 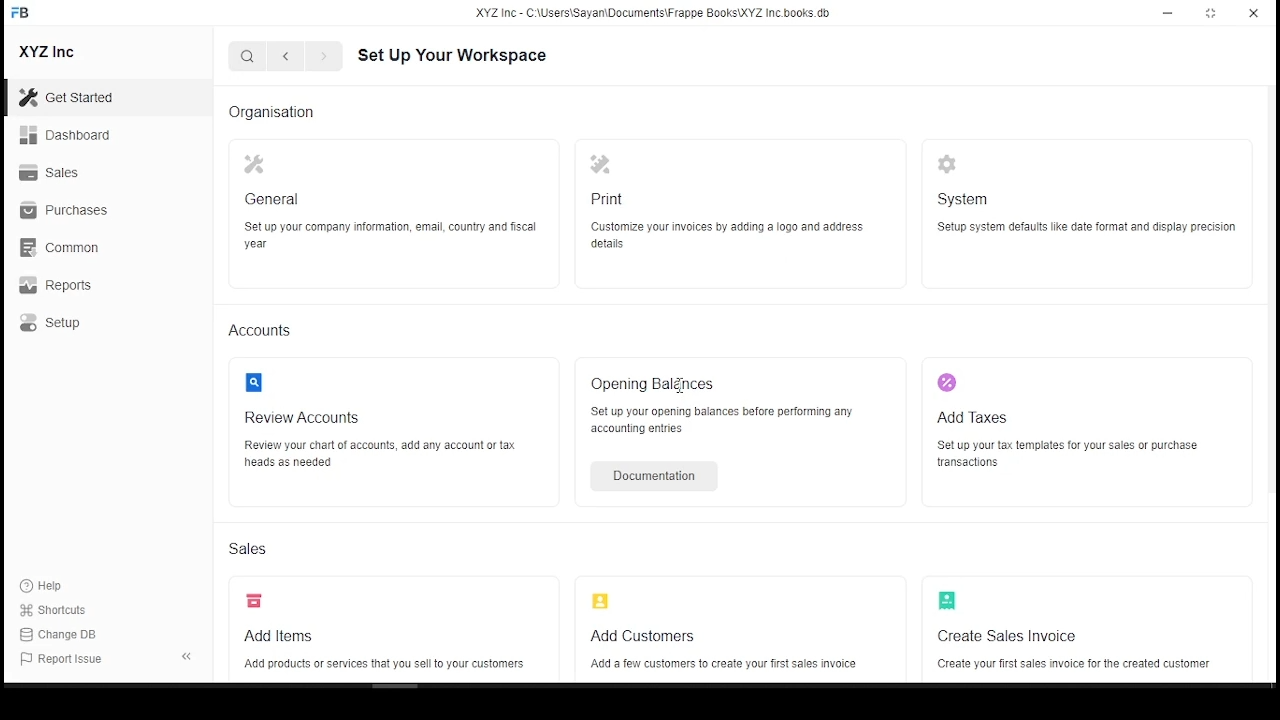 I want to click on mouse pointer, so click(x=63, y=341).